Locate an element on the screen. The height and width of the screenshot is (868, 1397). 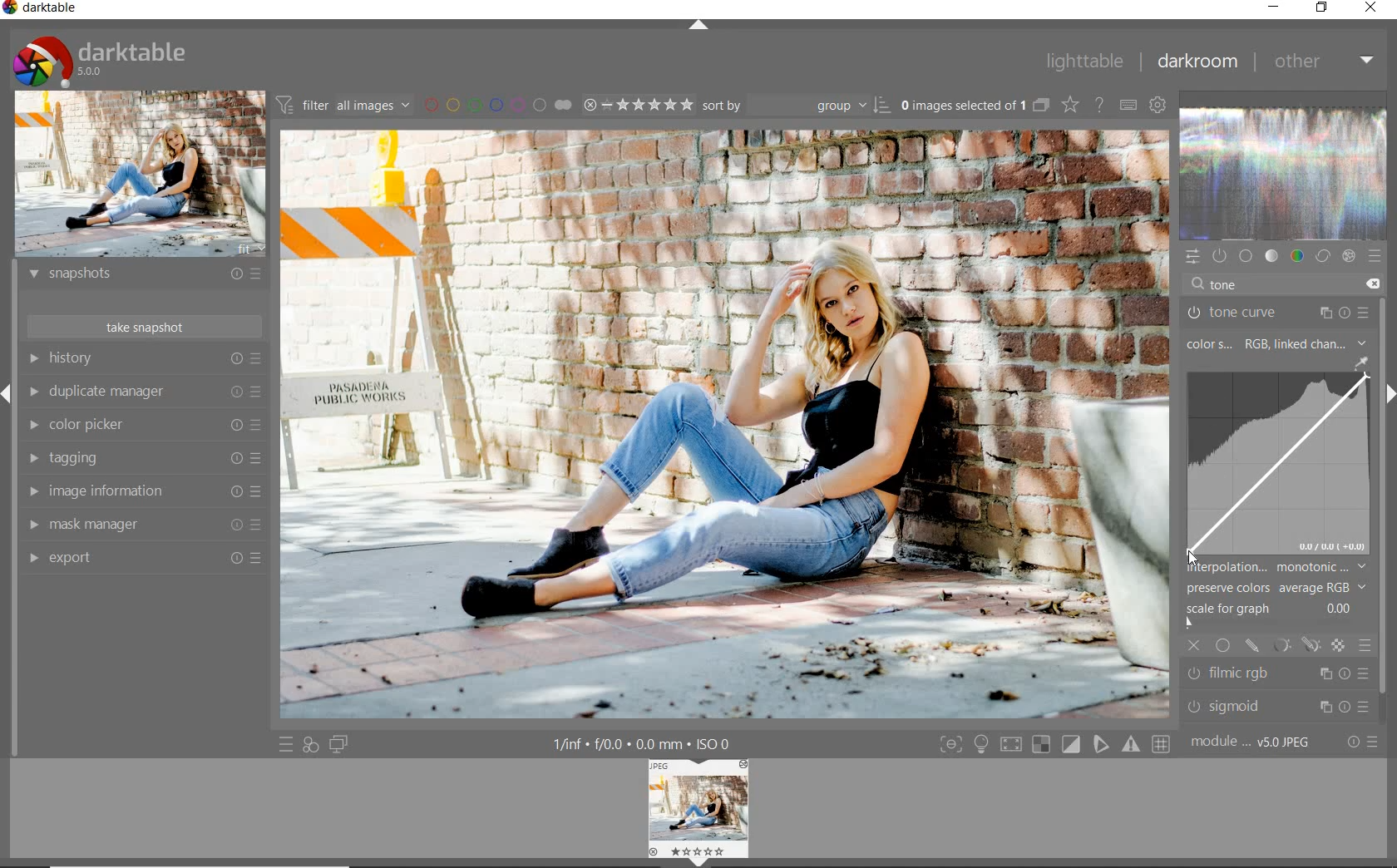
other is located at coordinates (1323, 62).